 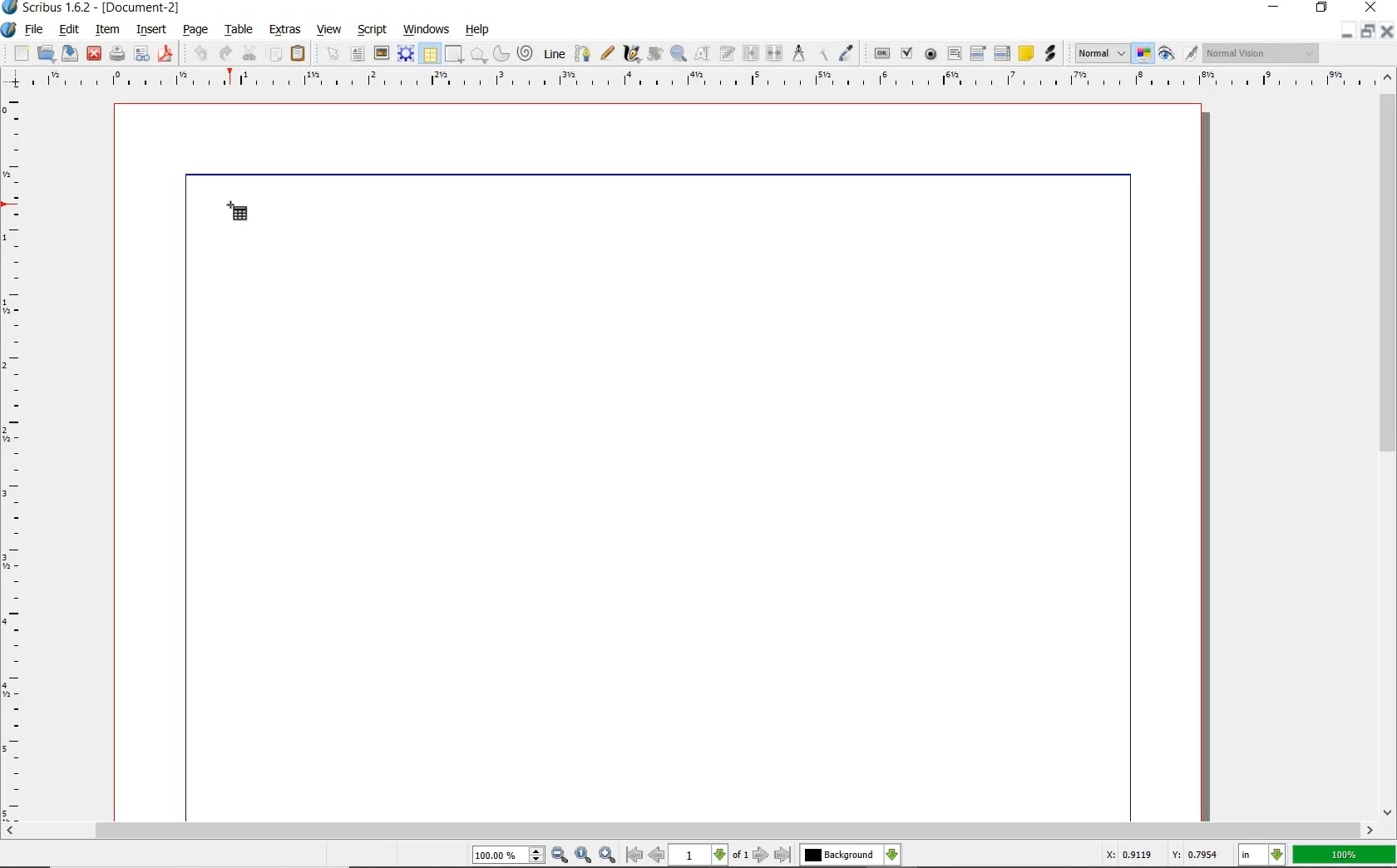 What do you see at coordinates (284, 30) in the screenshot?
I see `extras` at bounding box center [284, 30].